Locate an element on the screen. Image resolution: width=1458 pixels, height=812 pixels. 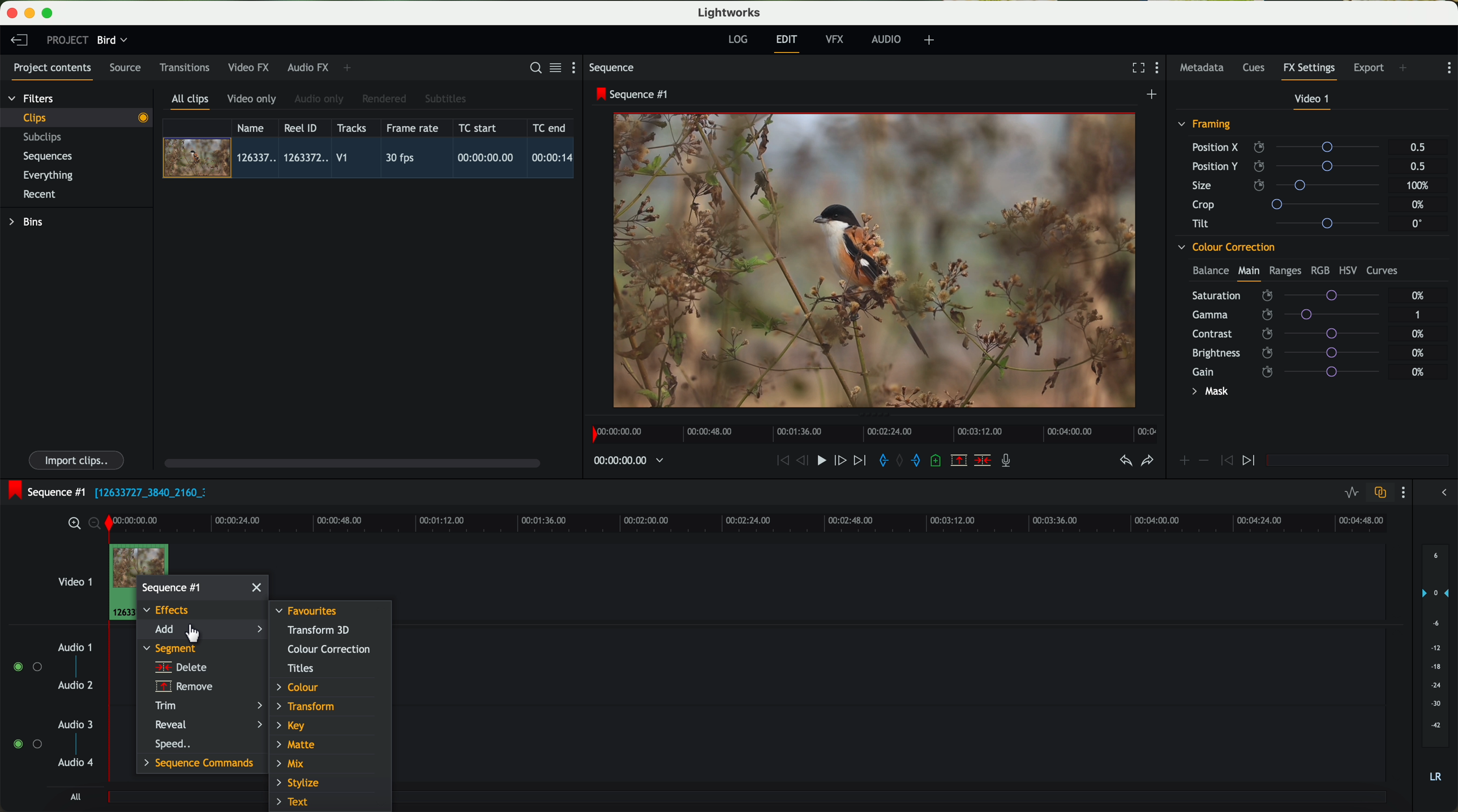
favourites is located at coordinates (307, 611).